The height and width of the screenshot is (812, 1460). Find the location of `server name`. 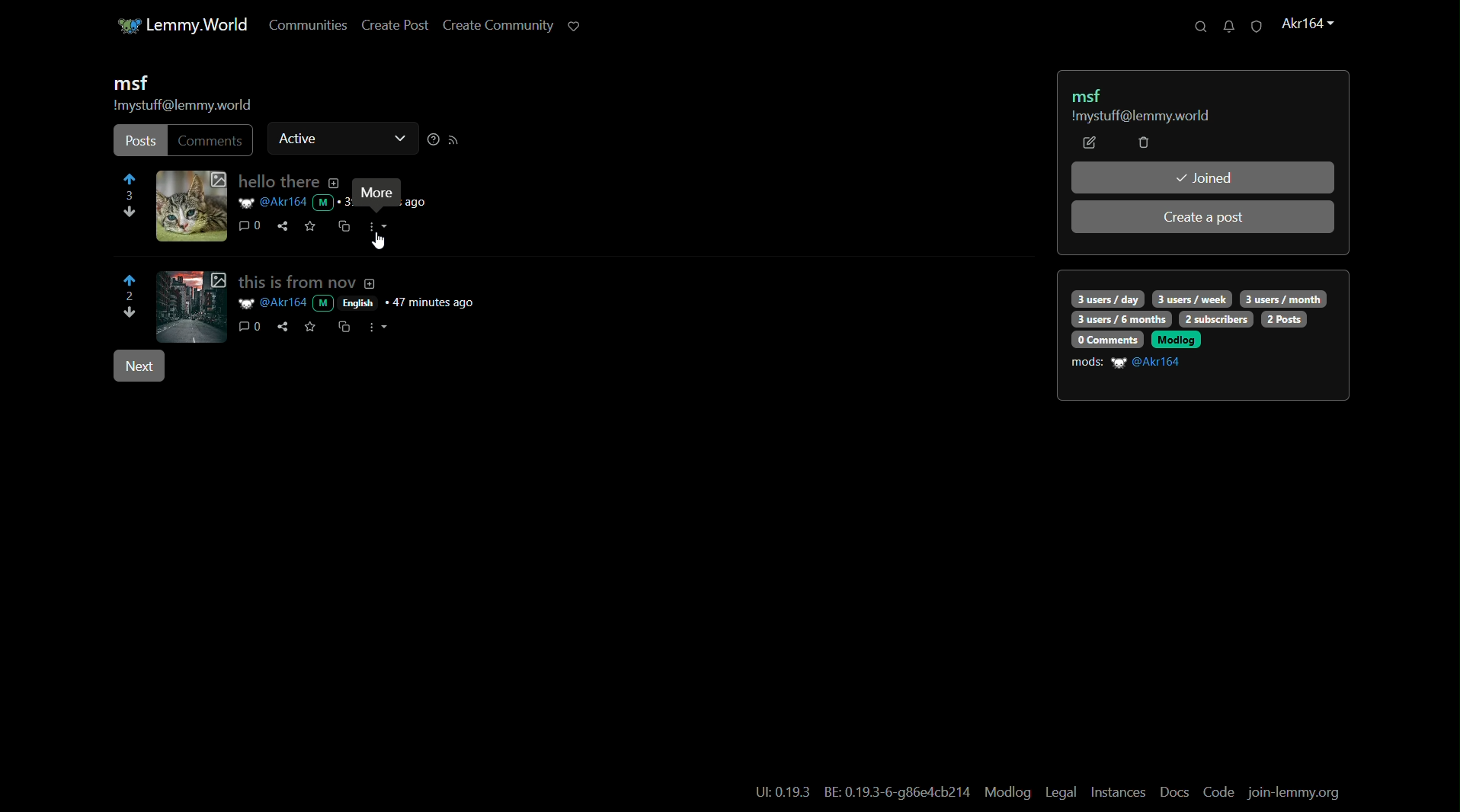

server name is located at coordinates (200, 24).